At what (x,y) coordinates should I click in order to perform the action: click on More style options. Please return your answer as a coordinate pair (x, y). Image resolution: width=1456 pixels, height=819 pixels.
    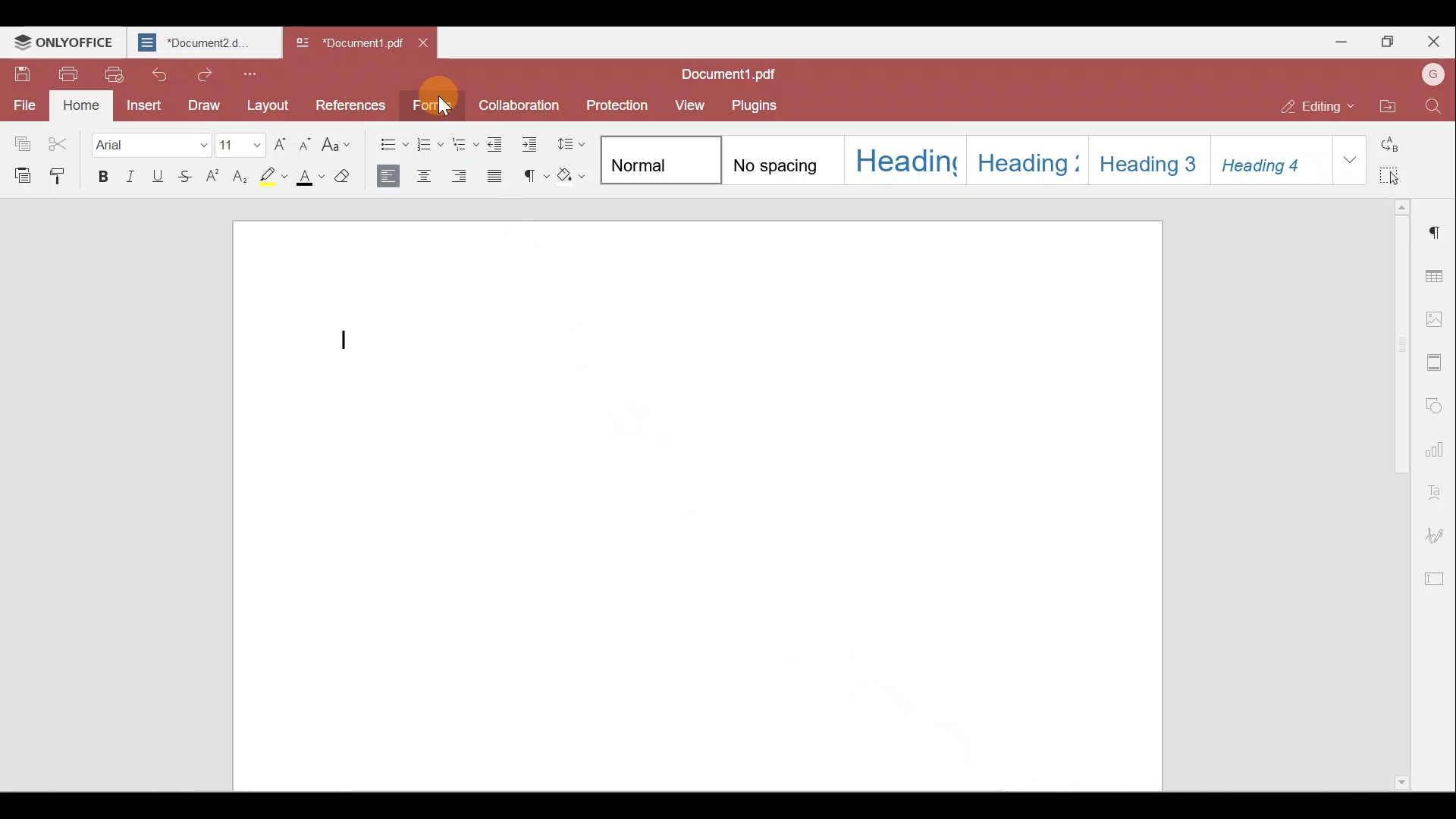
    Looking at the image, I should click on (1351, 160).